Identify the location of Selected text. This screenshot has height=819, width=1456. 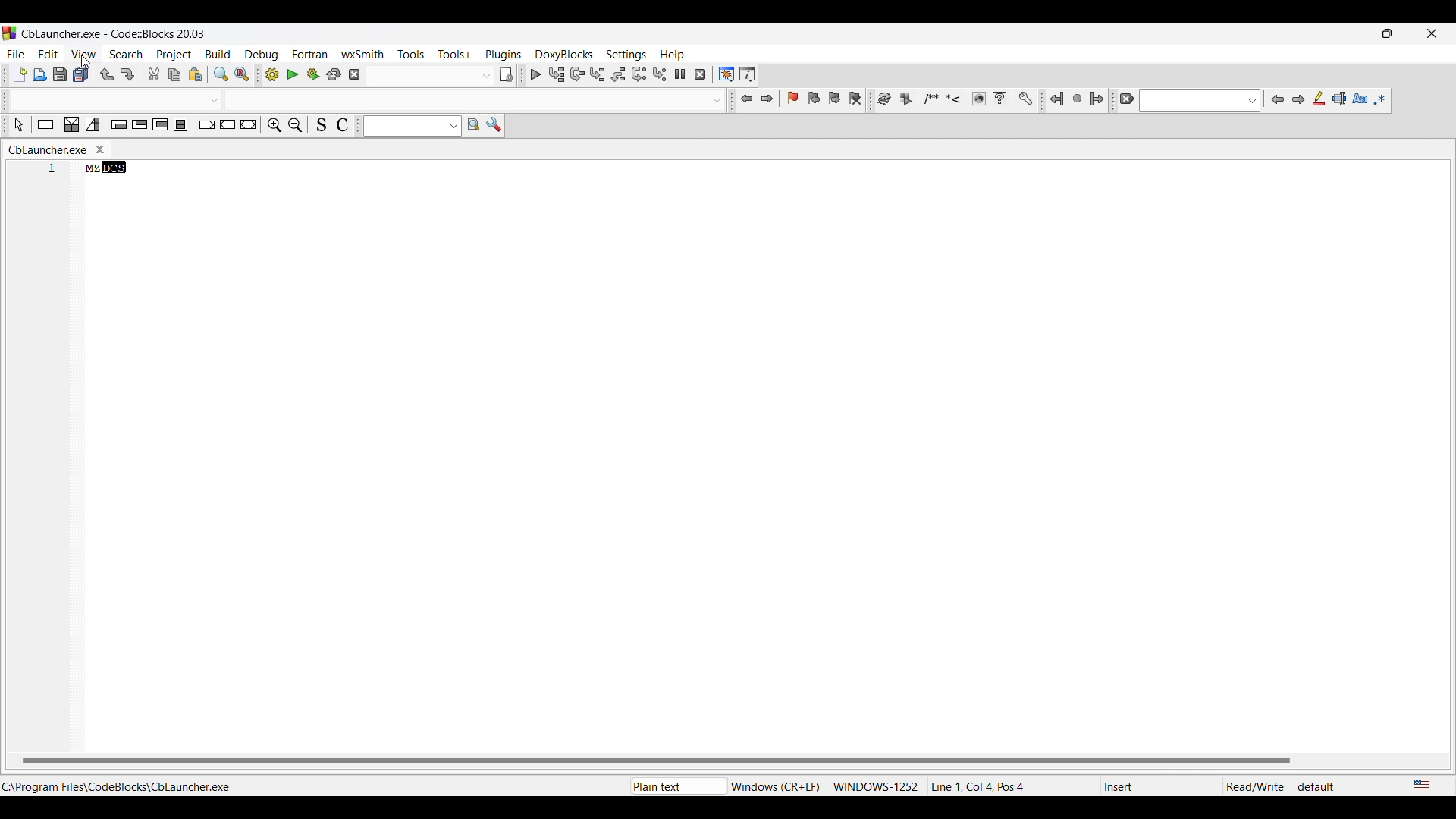
(1339, 99).